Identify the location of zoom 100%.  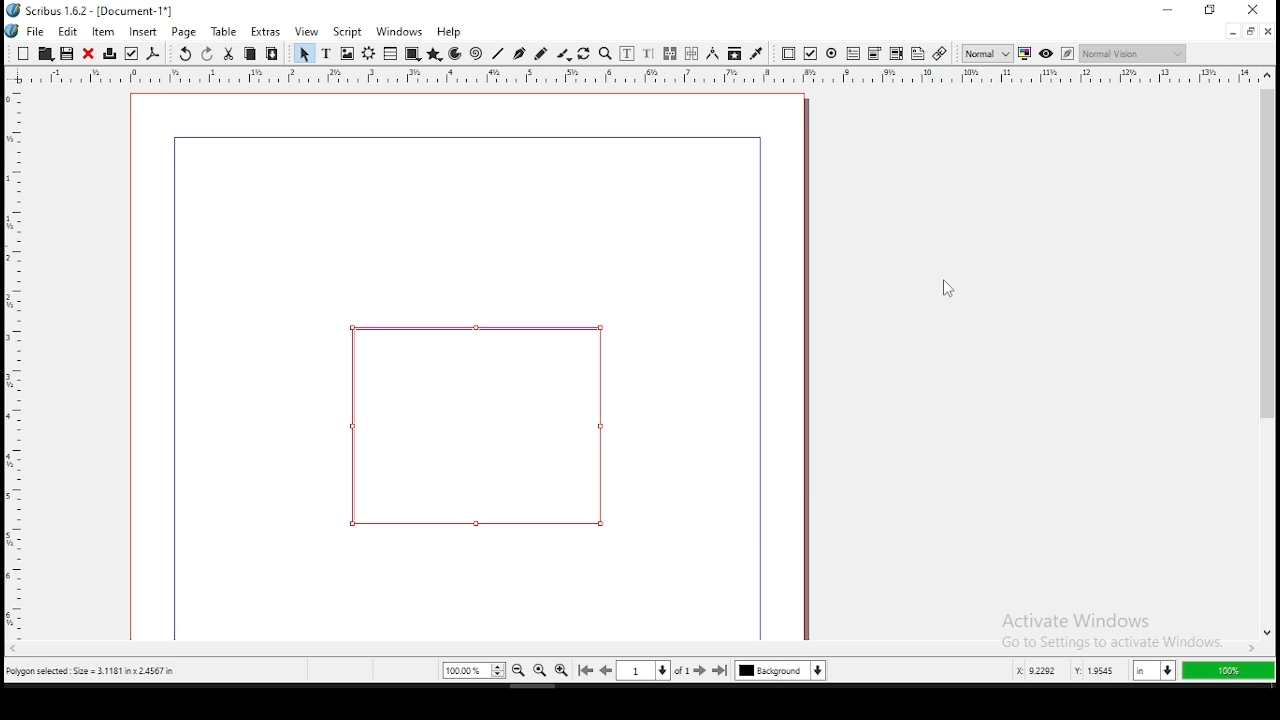
(540, 670).